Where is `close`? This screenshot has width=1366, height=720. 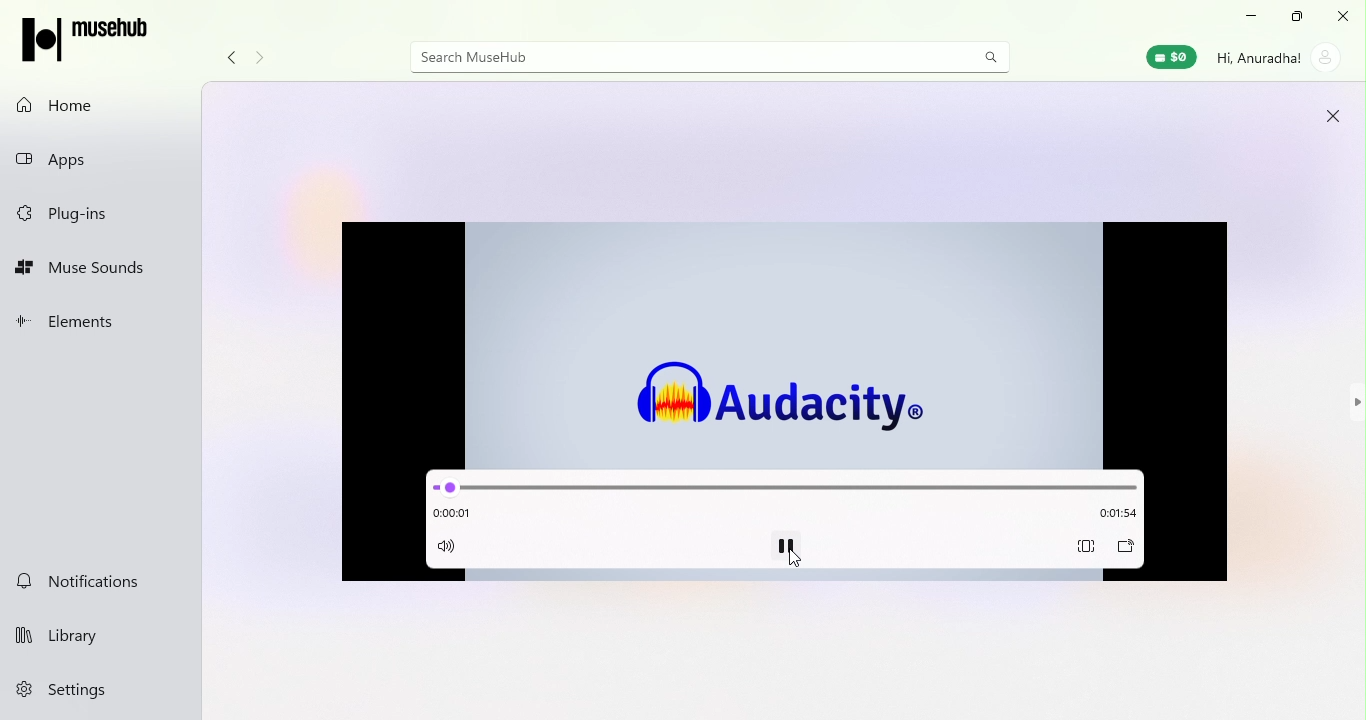 close is located at coordinates (1328, 114).